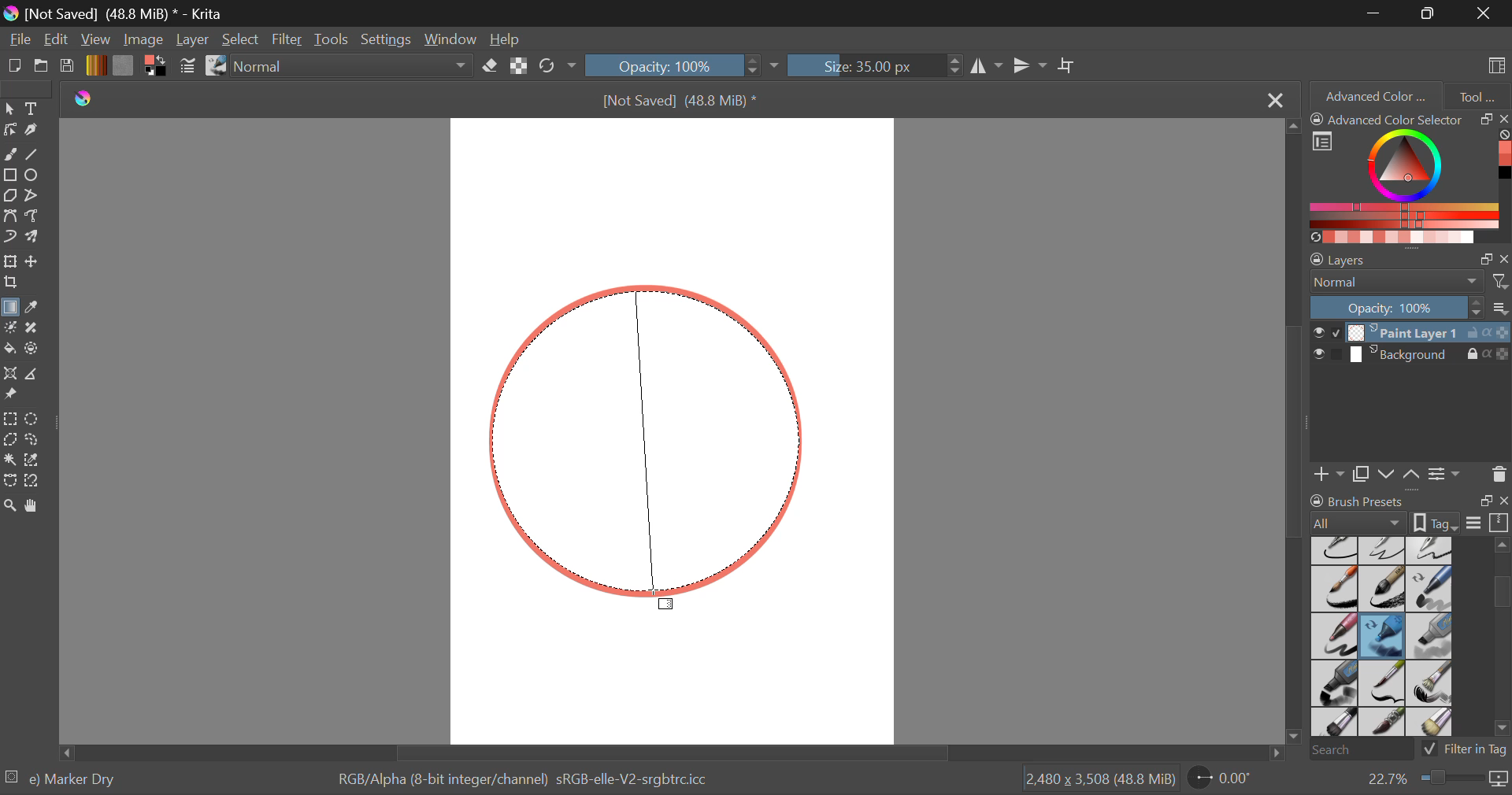  I want to click on Layer Settings, so click(1410, 256).